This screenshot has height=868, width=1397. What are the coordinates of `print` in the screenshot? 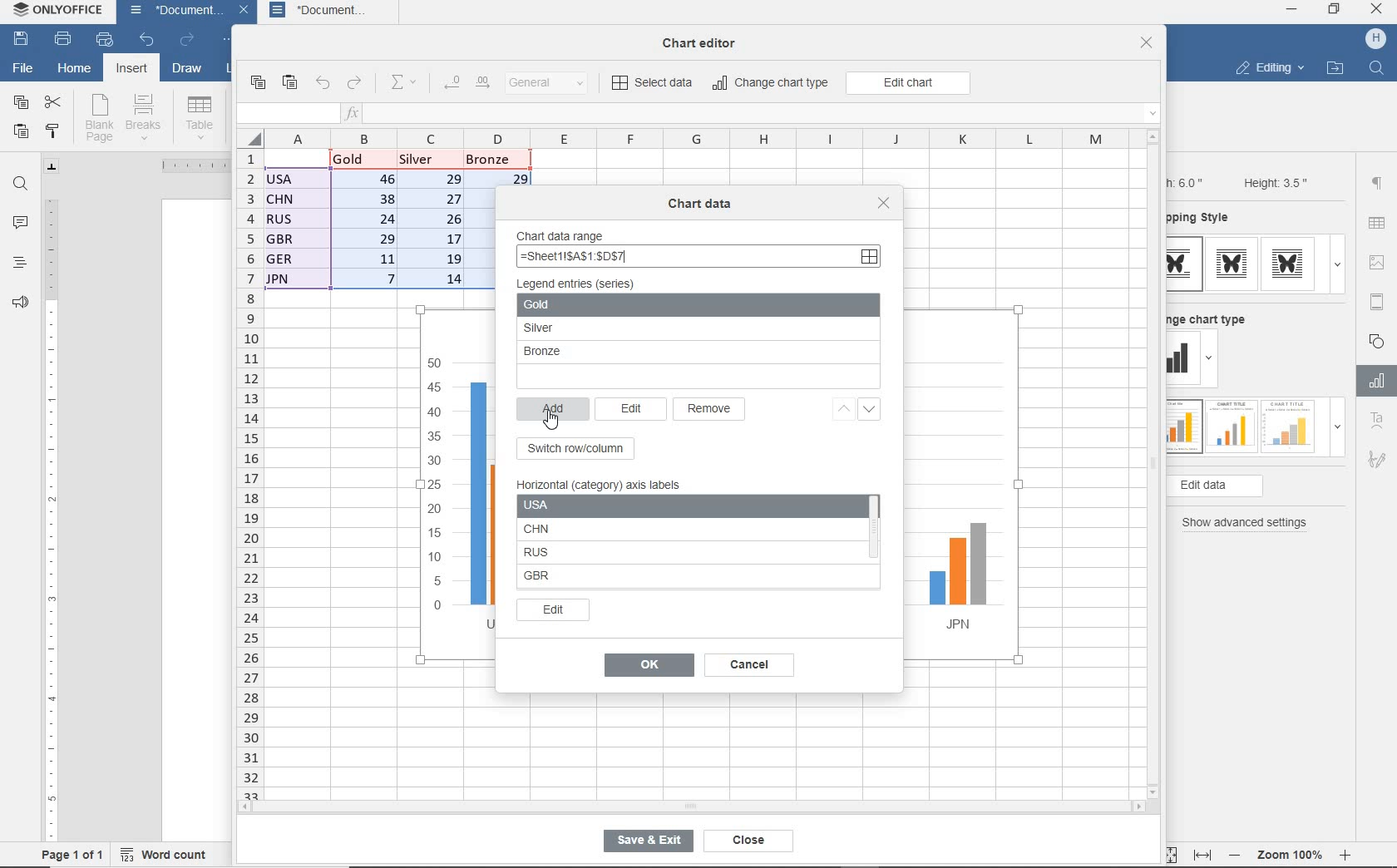 It's located at (62, 40).